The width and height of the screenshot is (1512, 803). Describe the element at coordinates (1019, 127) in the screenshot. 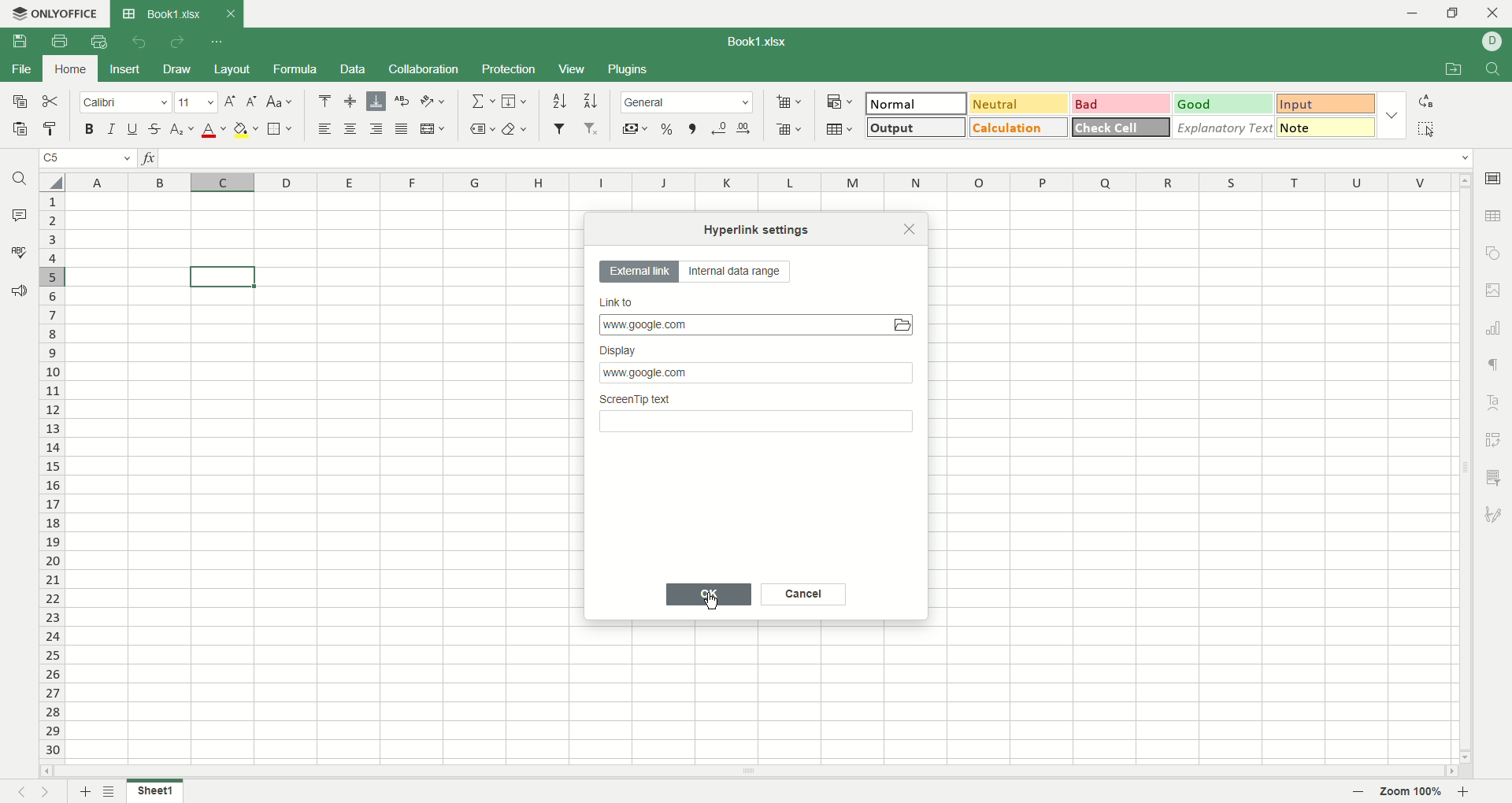

I see `calculation` at that location.